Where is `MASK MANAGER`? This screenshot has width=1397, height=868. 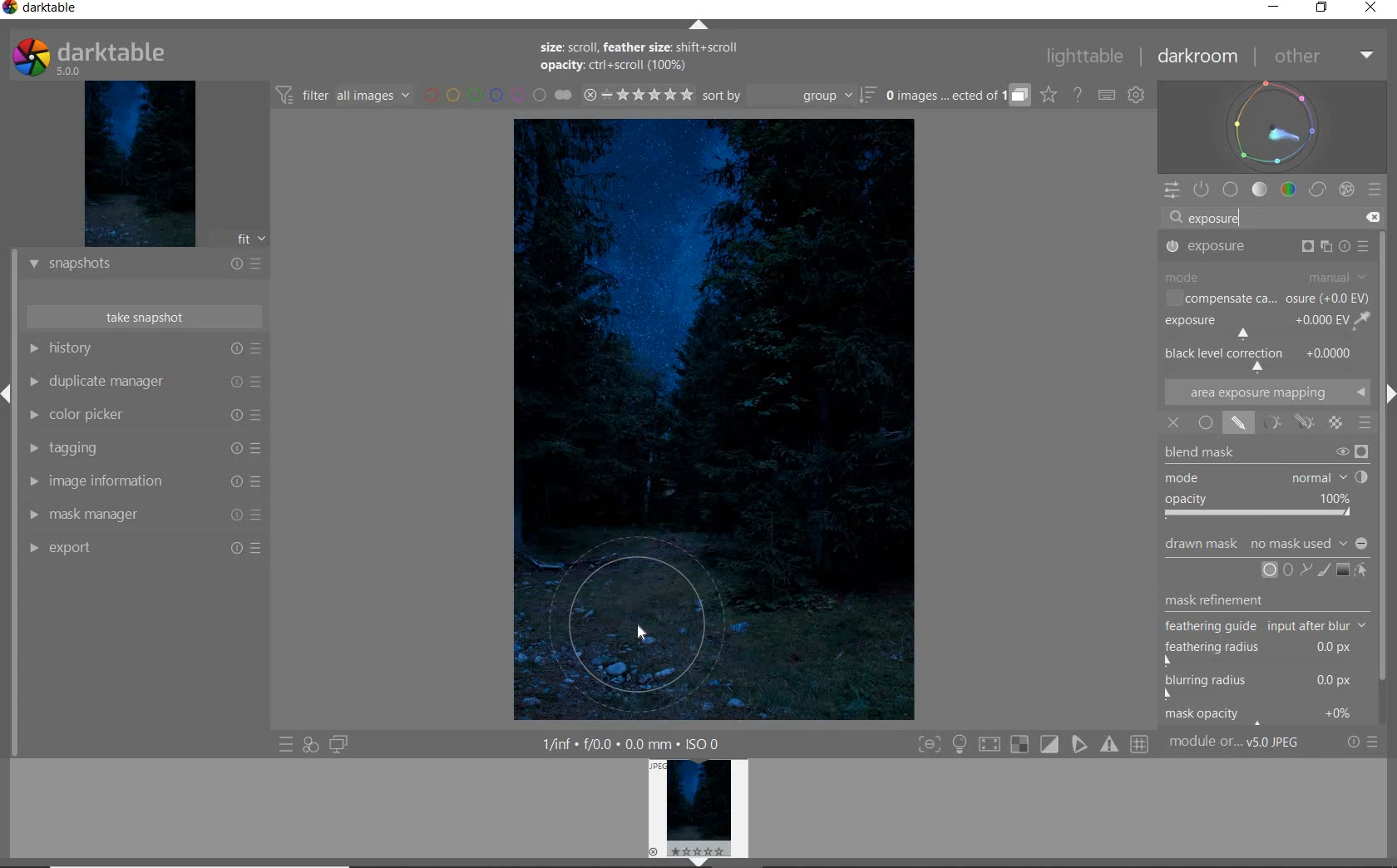 MASK MANAGER is located at coordinates (142, 515).